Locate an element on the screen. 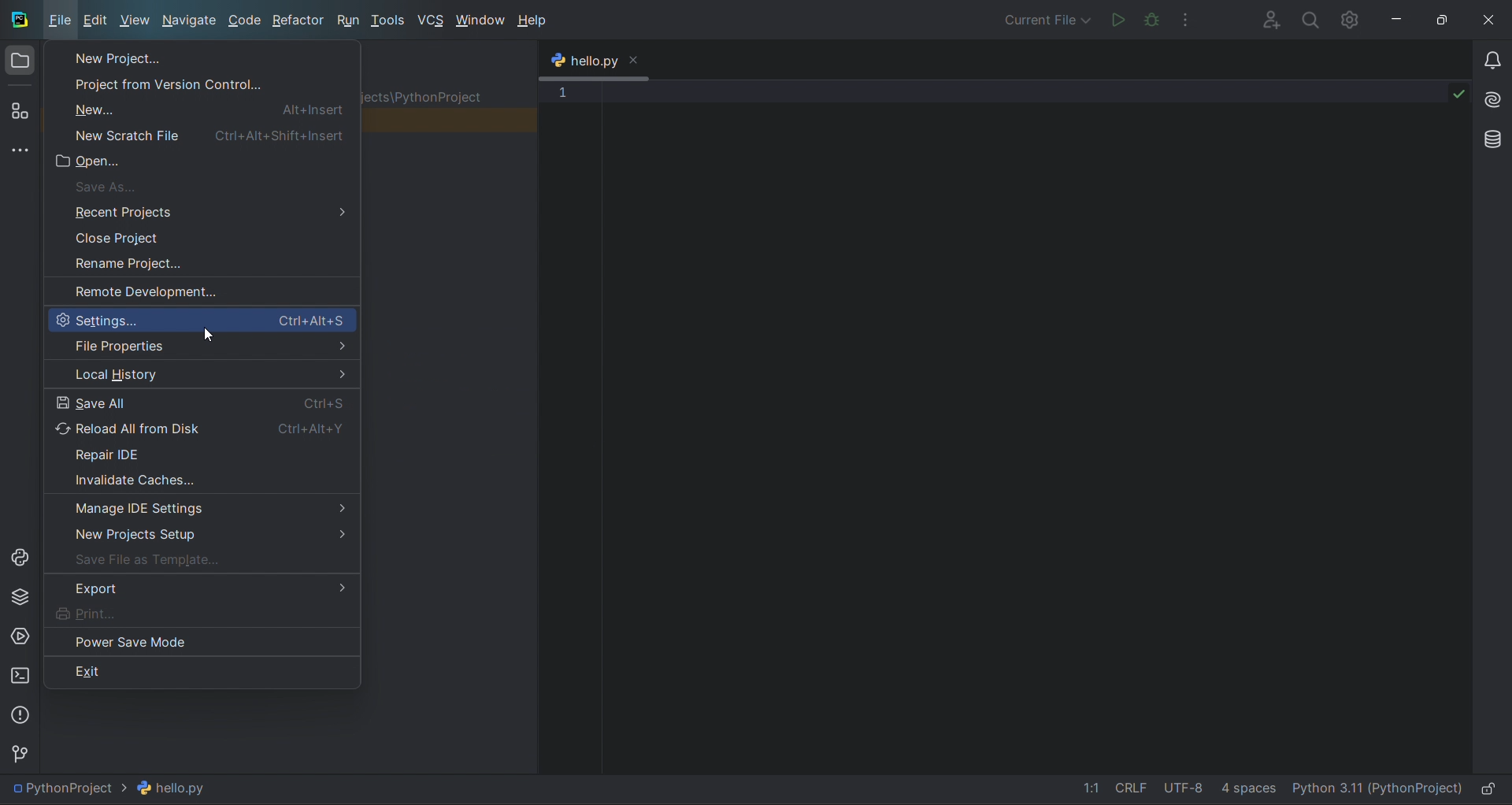 This screenshot has width=1512, height=805. options is located at coordinates (1192, 20).